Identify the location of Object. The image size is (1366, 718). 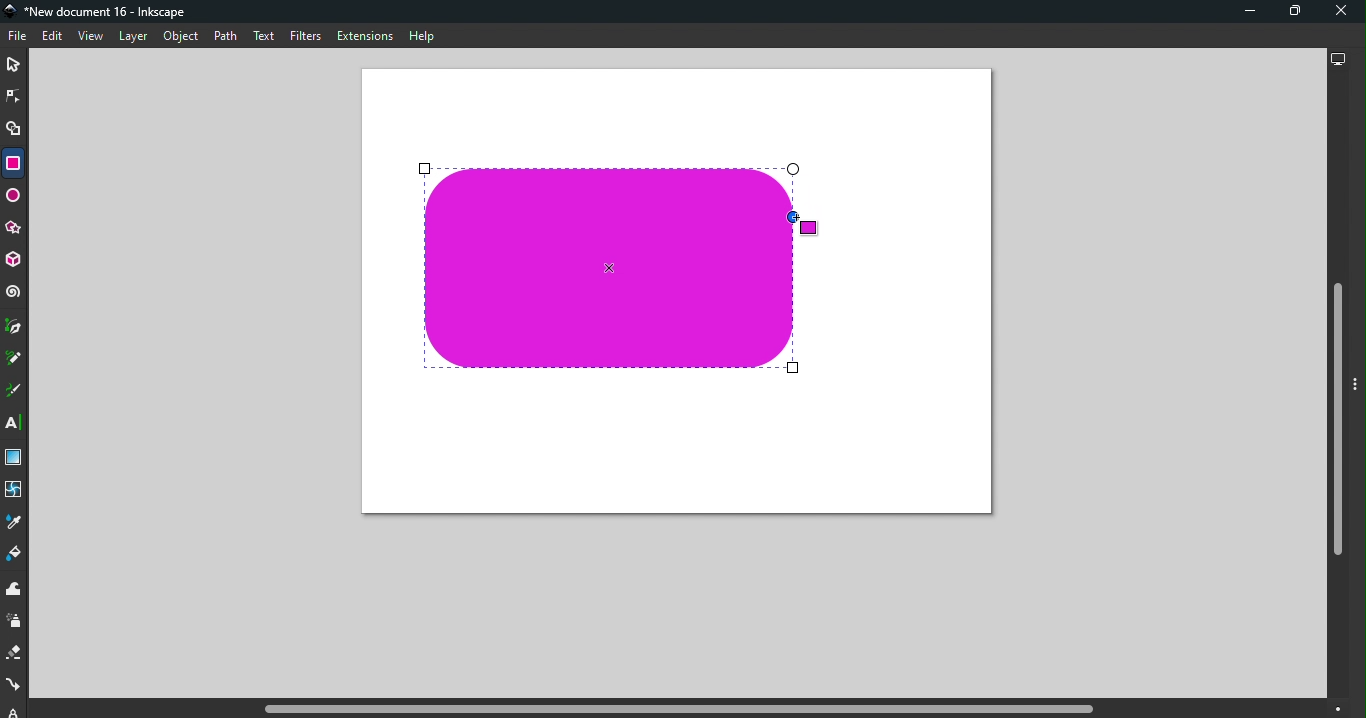
(181, 37).